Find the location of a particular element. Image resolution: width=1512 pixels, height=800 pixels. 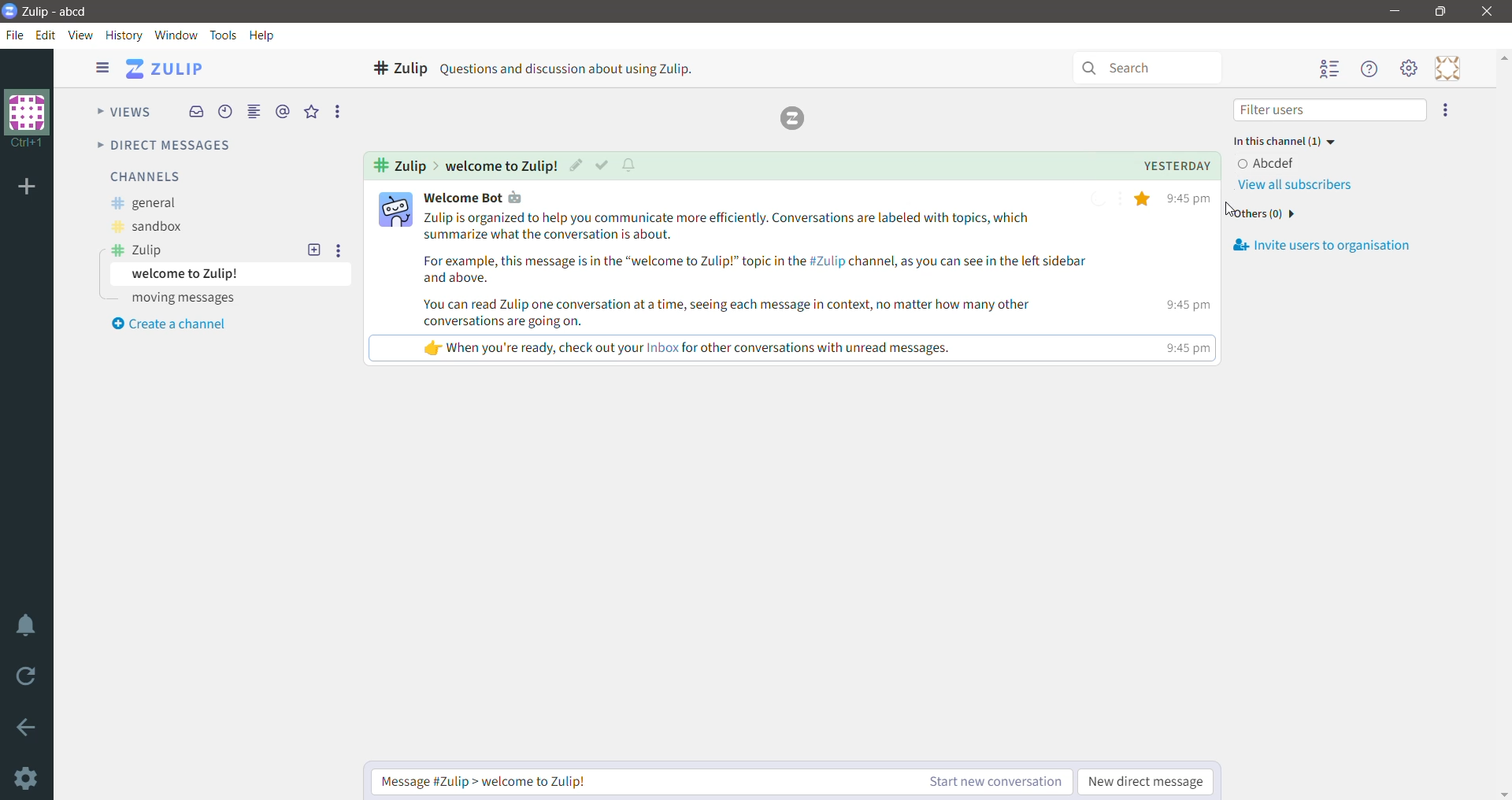

Filter users is located at coordinates (1330, 111).